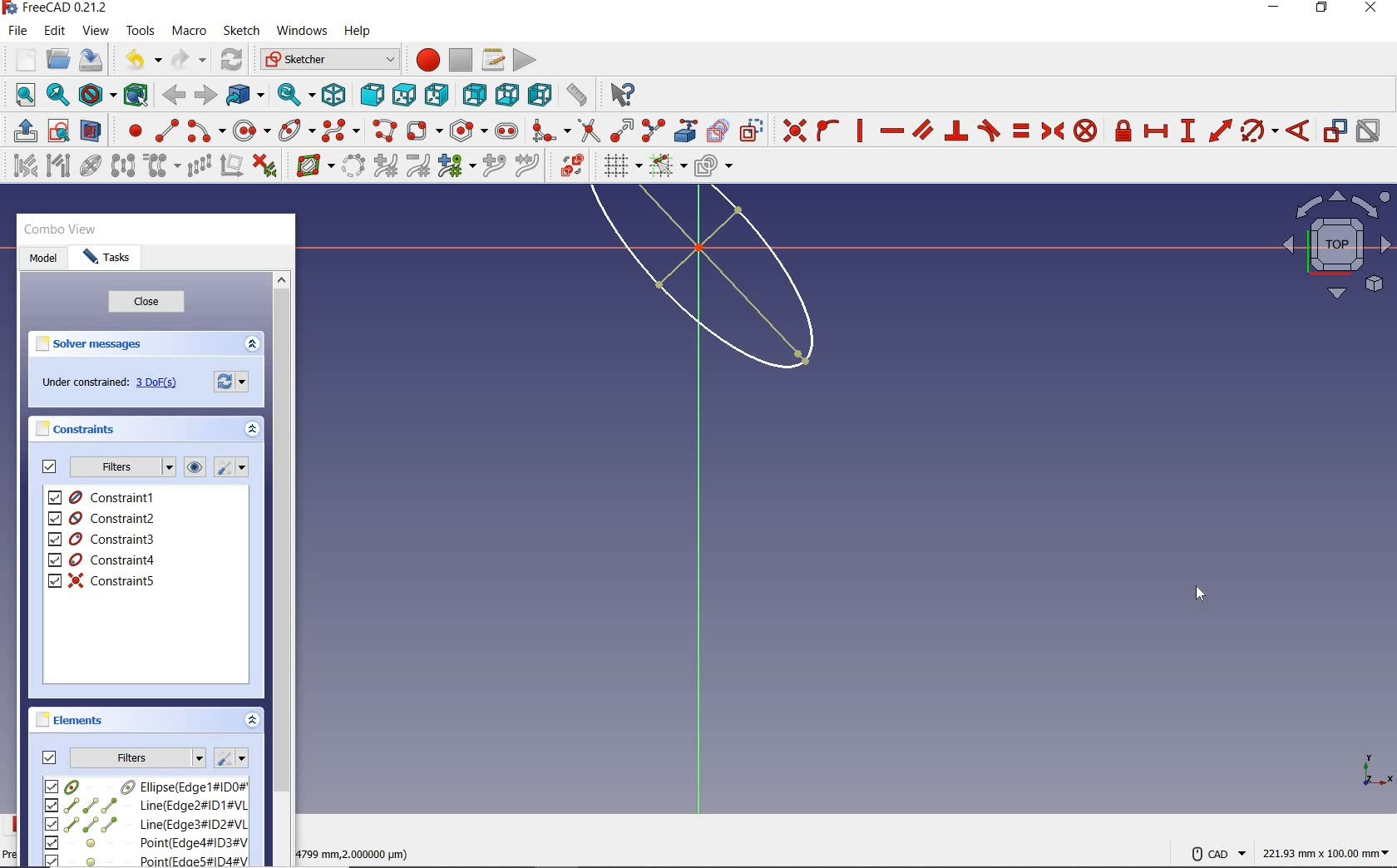 The width and height of the screenshot is (1397, 868). What do you see at coordinates (124, 165) in the screenshot?
I see `symmetry` at bounding box center [124, 165].